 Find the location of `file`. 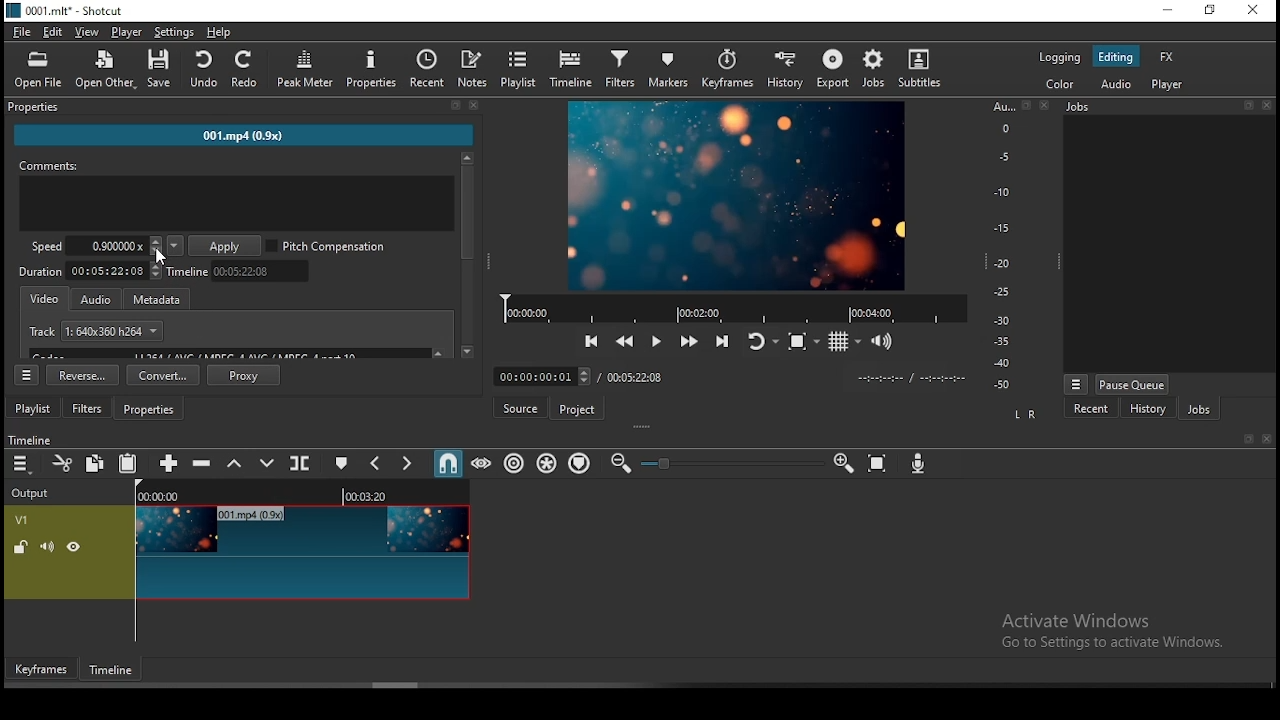

file is located at coordinates (23, 32).